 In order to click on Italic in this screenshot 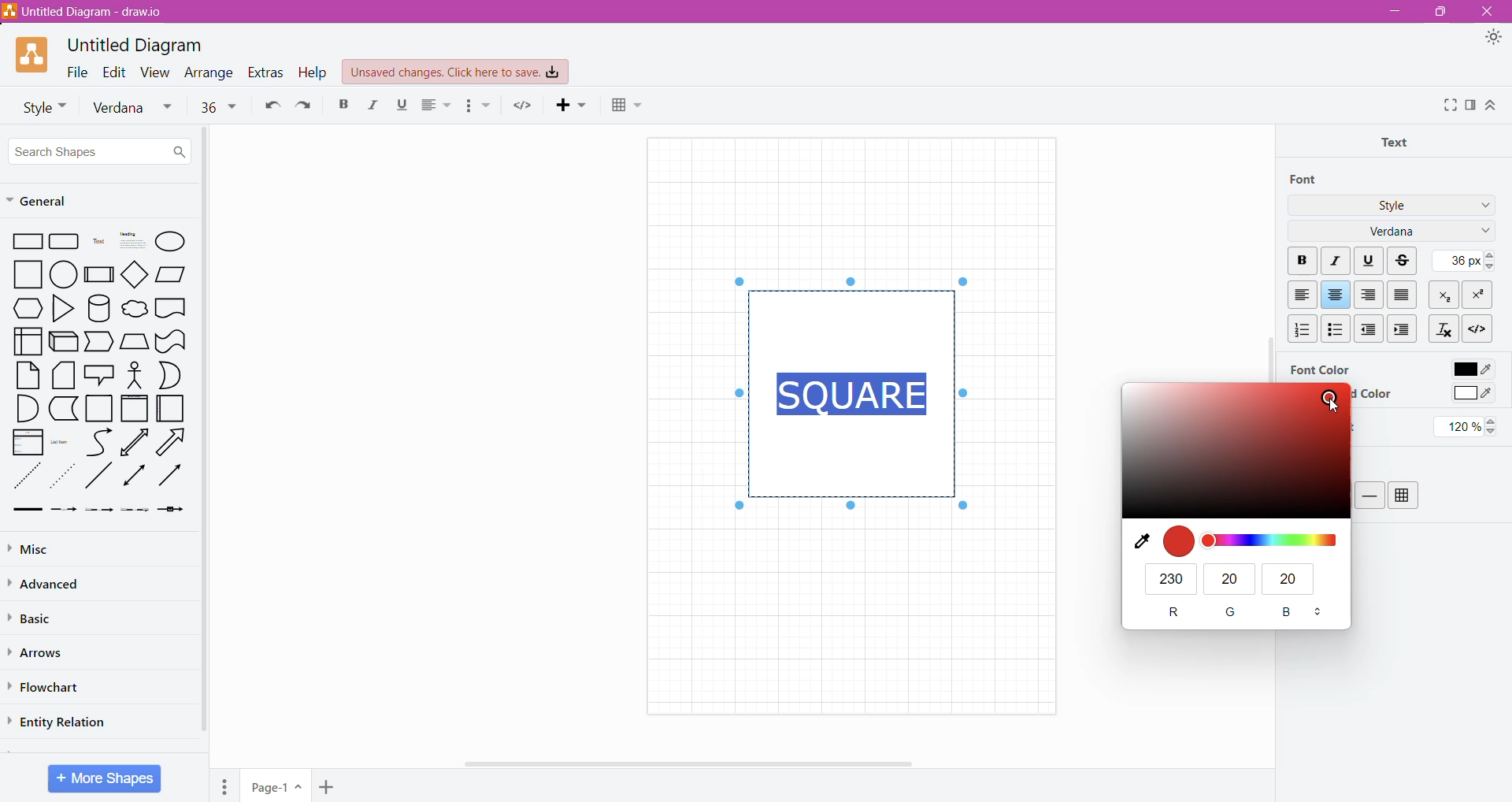, I will do `click(376, 105)`.